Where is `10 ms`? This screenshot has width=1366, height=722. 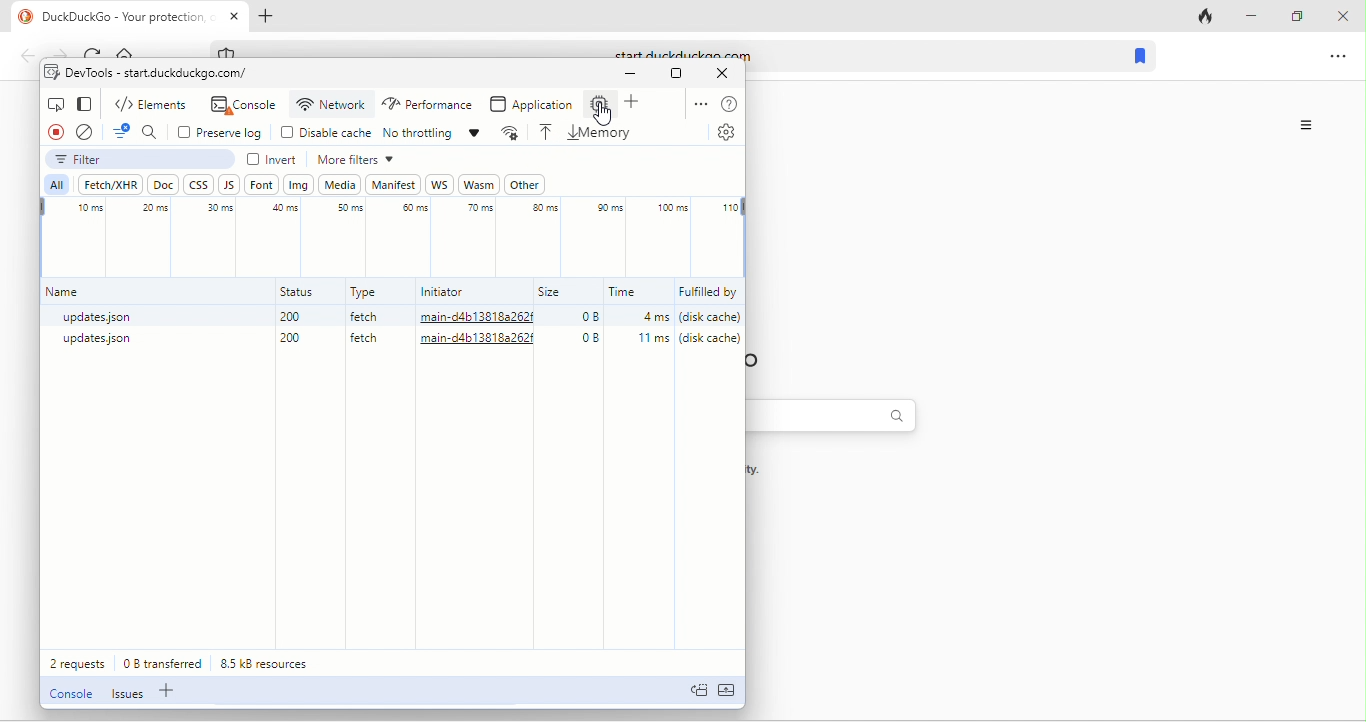 10 ms is located at coordinates (81, 212).